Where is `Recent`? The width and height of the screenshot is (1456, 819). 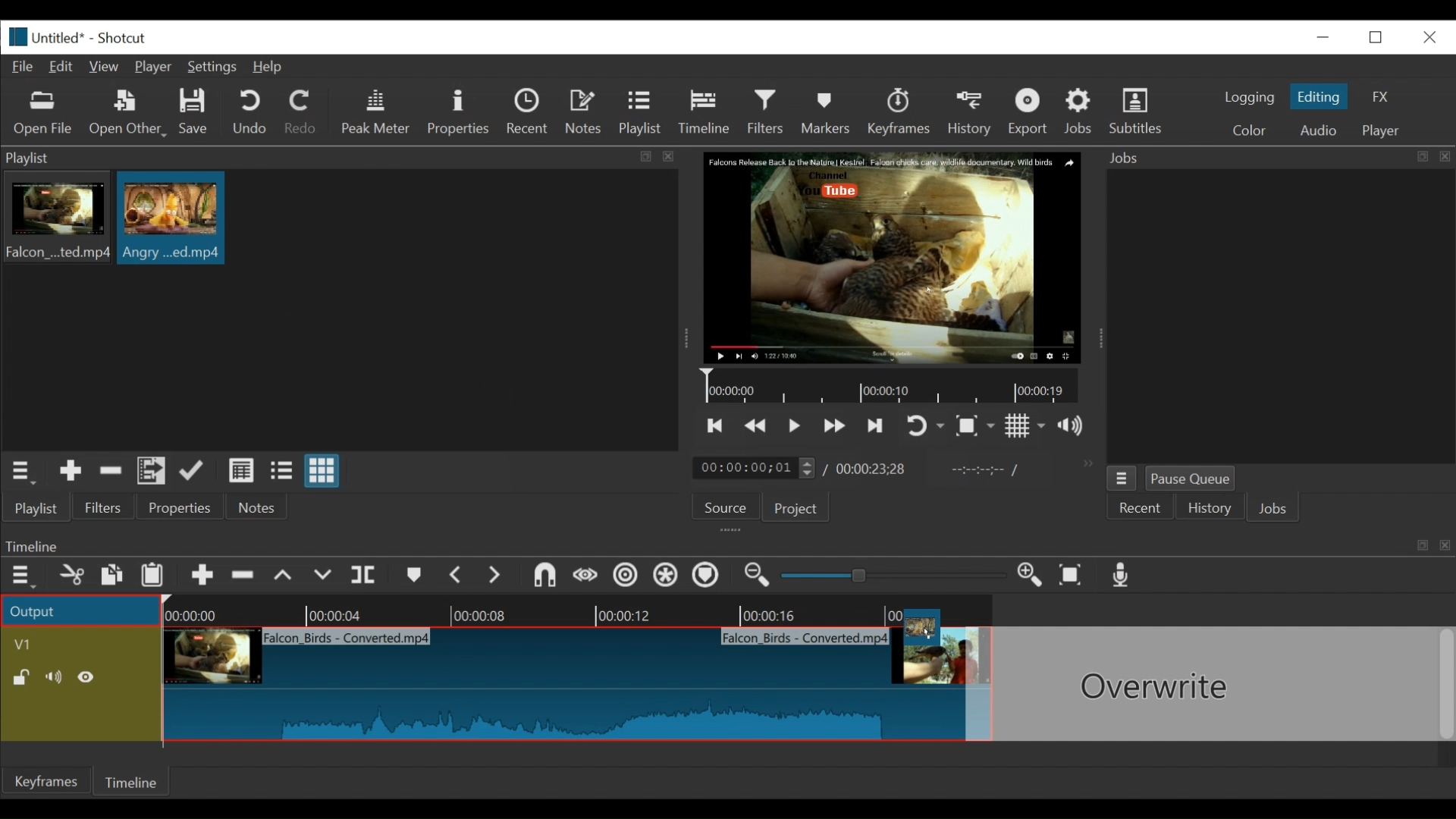
Recent is located at coordinates (531, 114).